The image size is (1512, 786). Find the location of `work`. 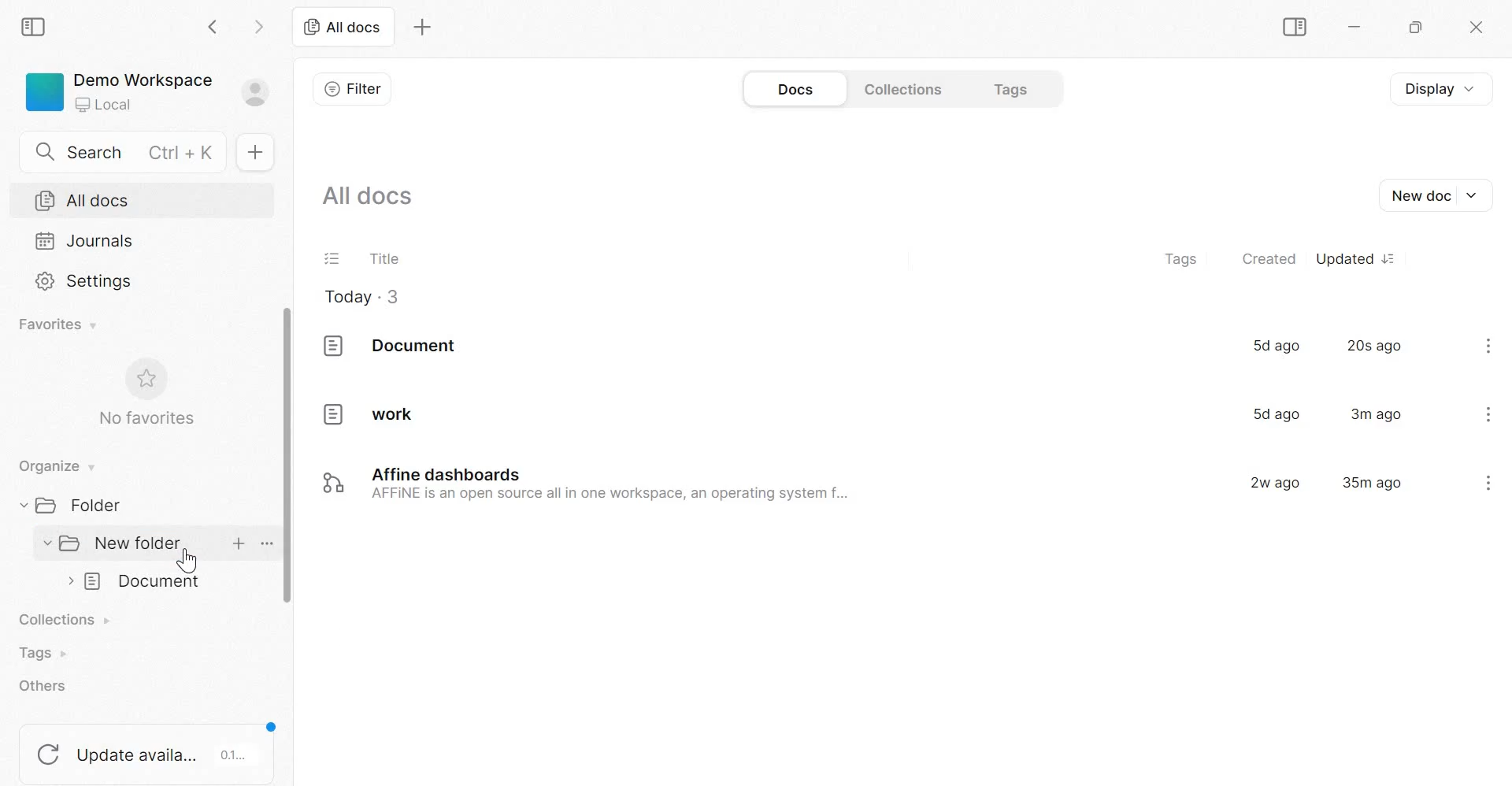

work is located at coordinates (361, 413).